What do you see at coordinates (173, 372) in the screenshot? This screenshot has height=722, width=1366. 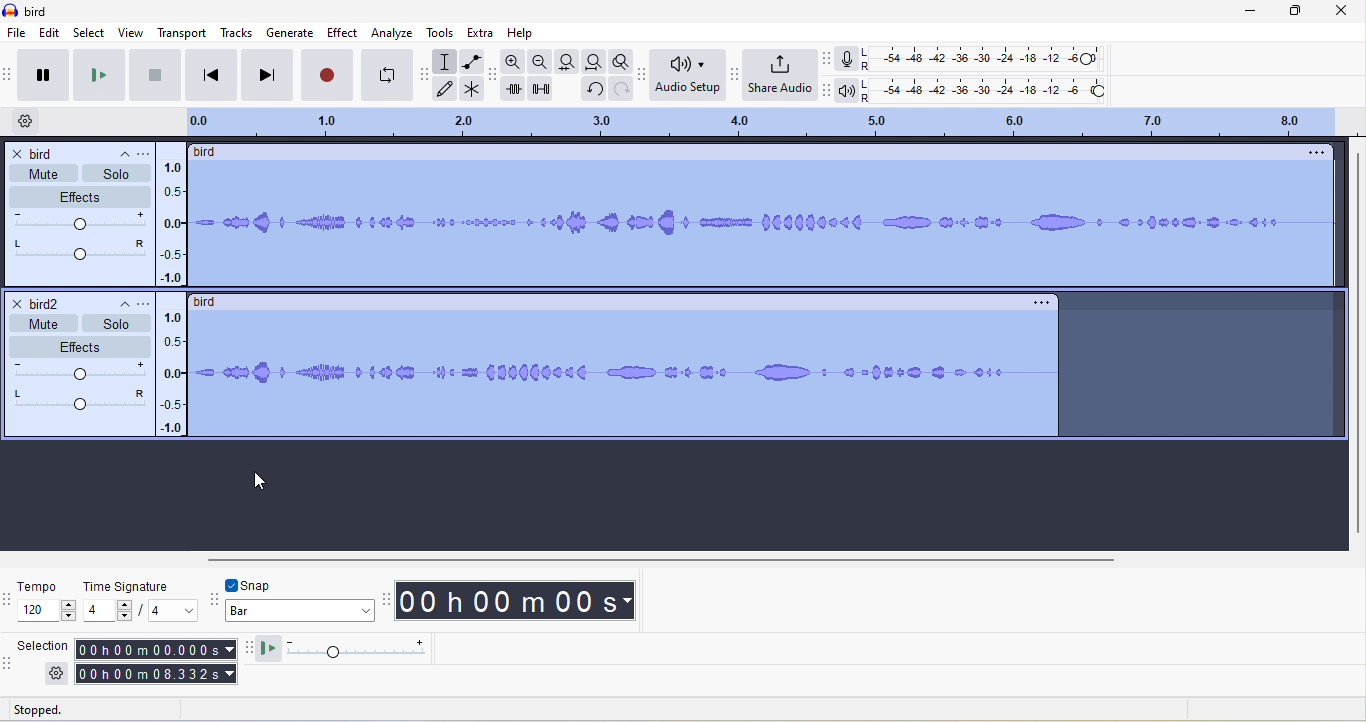 I see `amplitude` at bounding box center [173, 372].